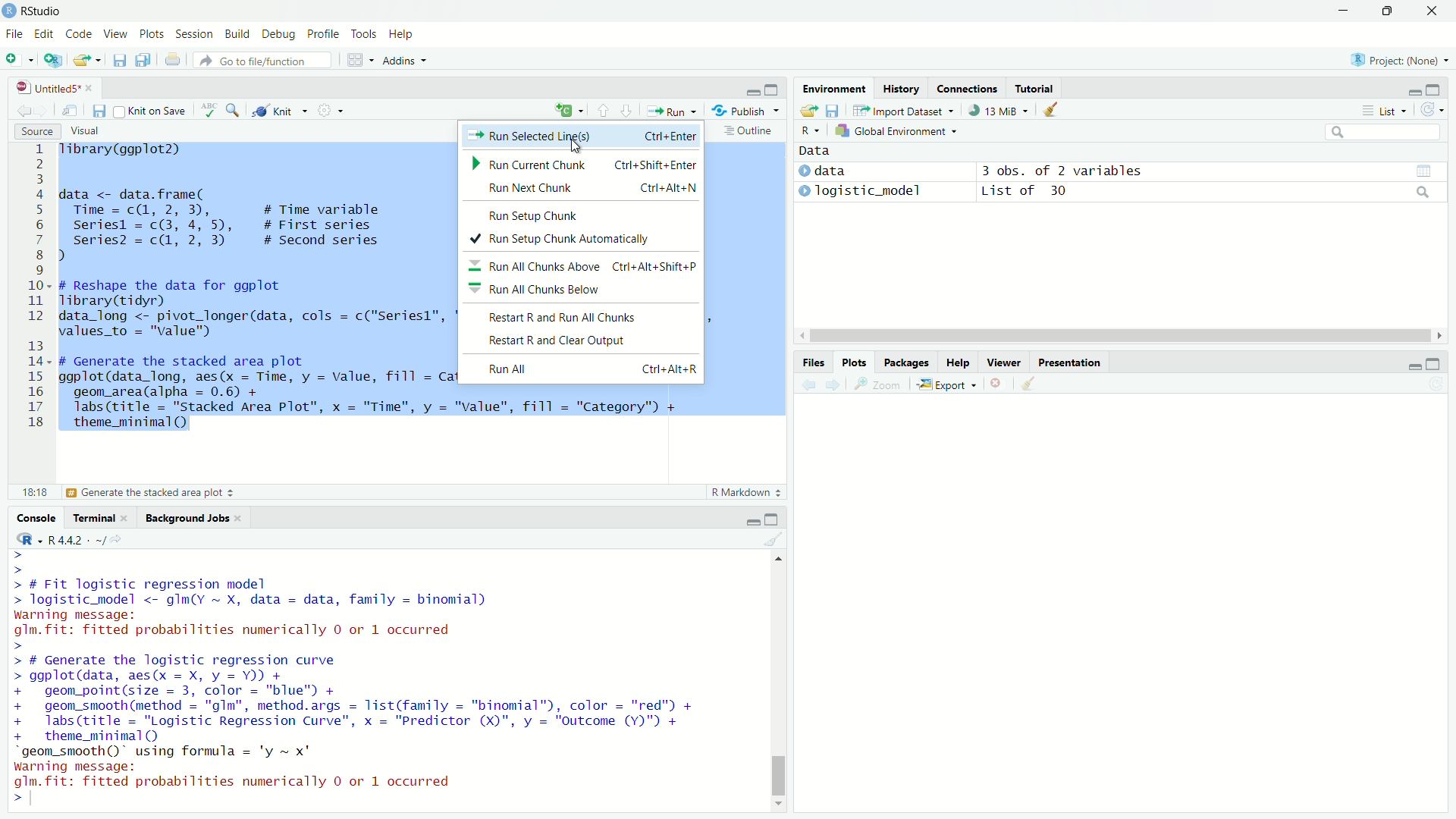  Describe the element at coordinates (1434, 361) in the screenshot. I see `maximise` at that location.